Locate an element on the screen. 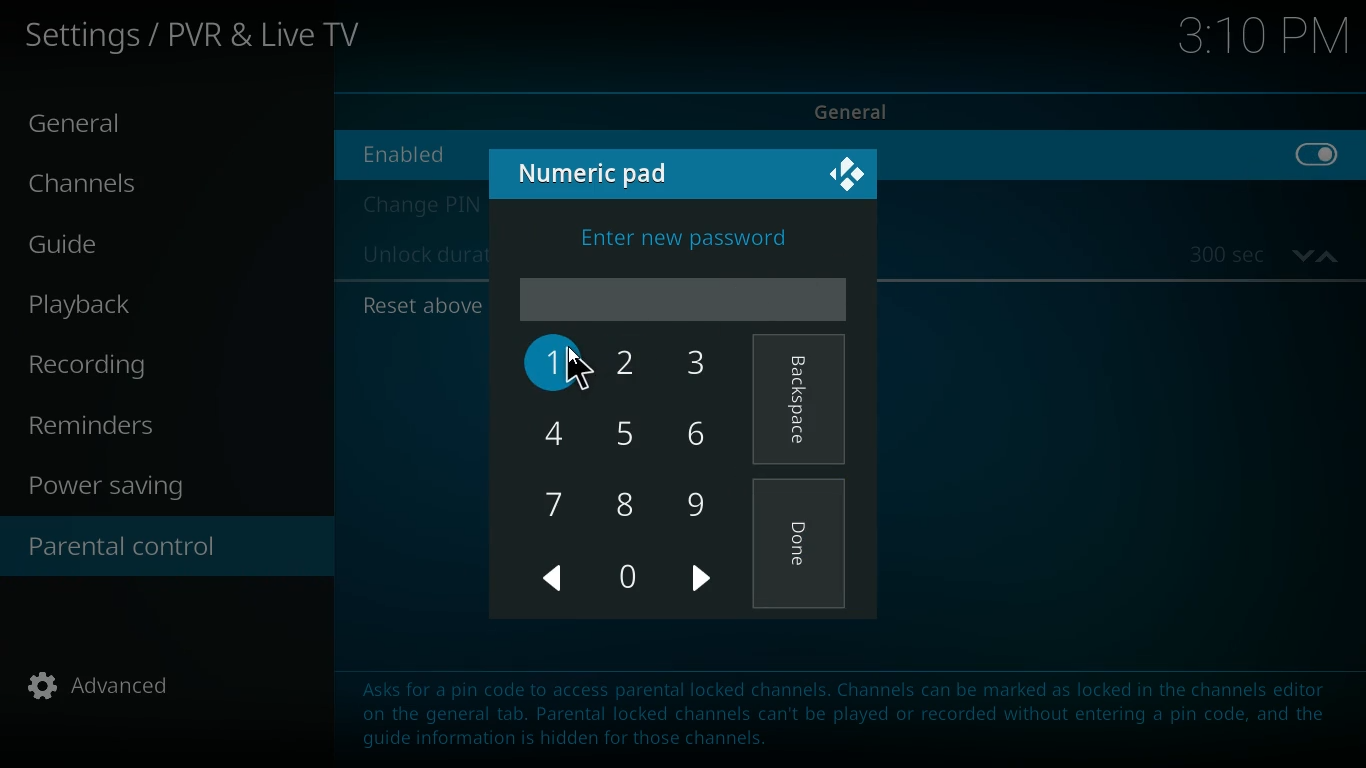 The width and height of the screenshot is (1366, 768). guide is located at coordinates (123, 247).